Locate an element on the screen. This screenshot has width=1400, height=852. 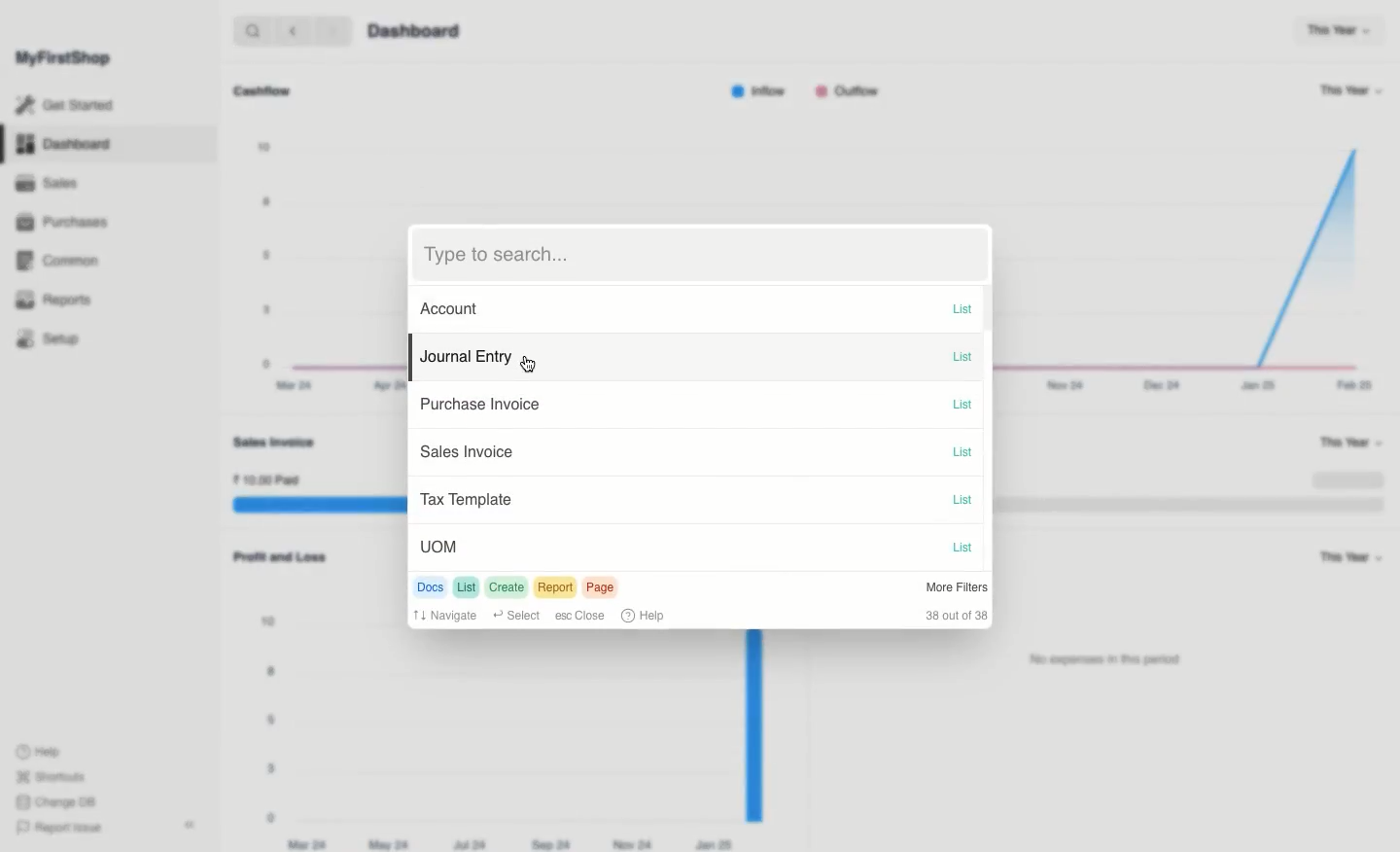
0 is located at coordinates (271, 817).